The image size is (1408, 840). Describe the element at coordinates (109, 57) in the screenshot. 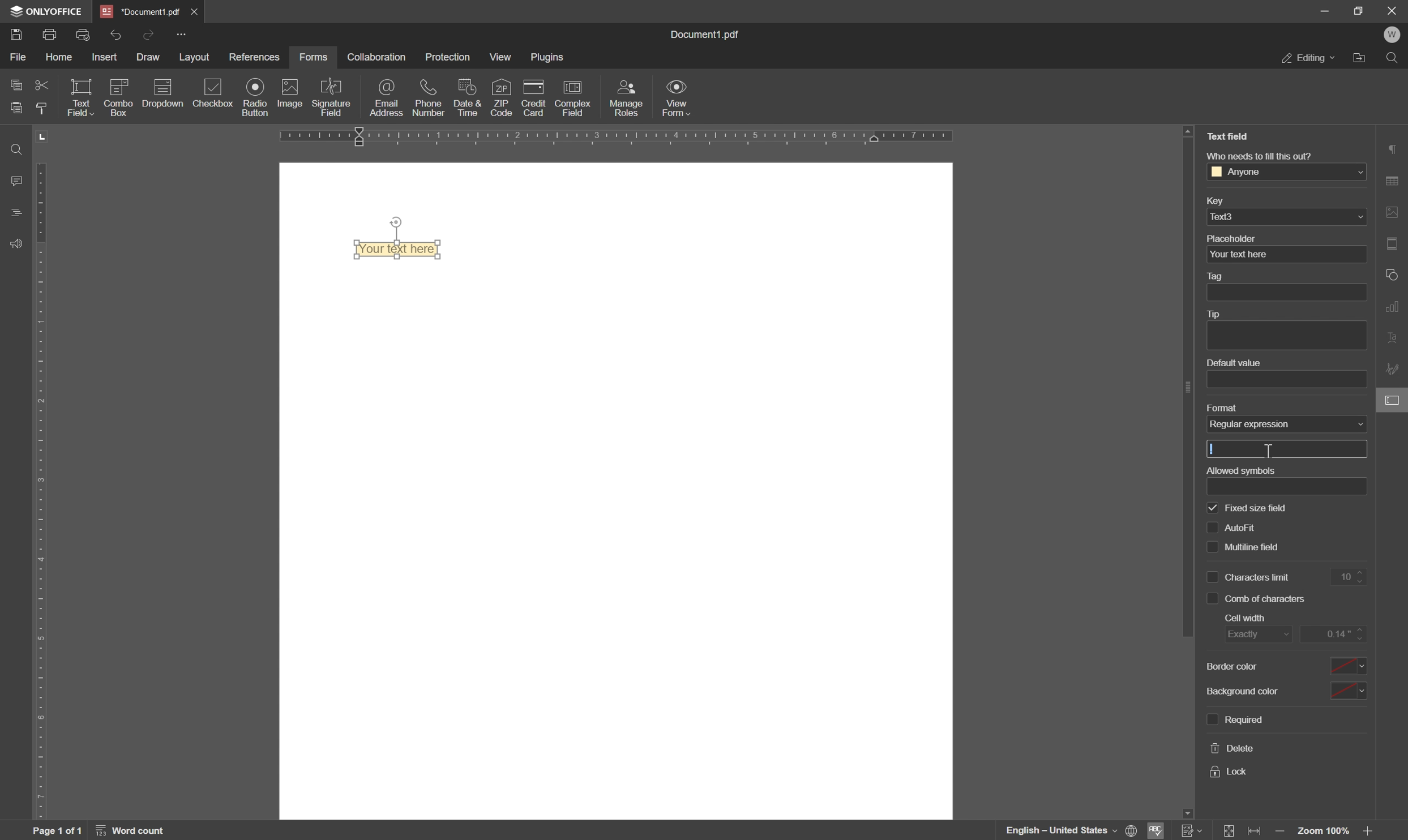

I see `insert` at that location.